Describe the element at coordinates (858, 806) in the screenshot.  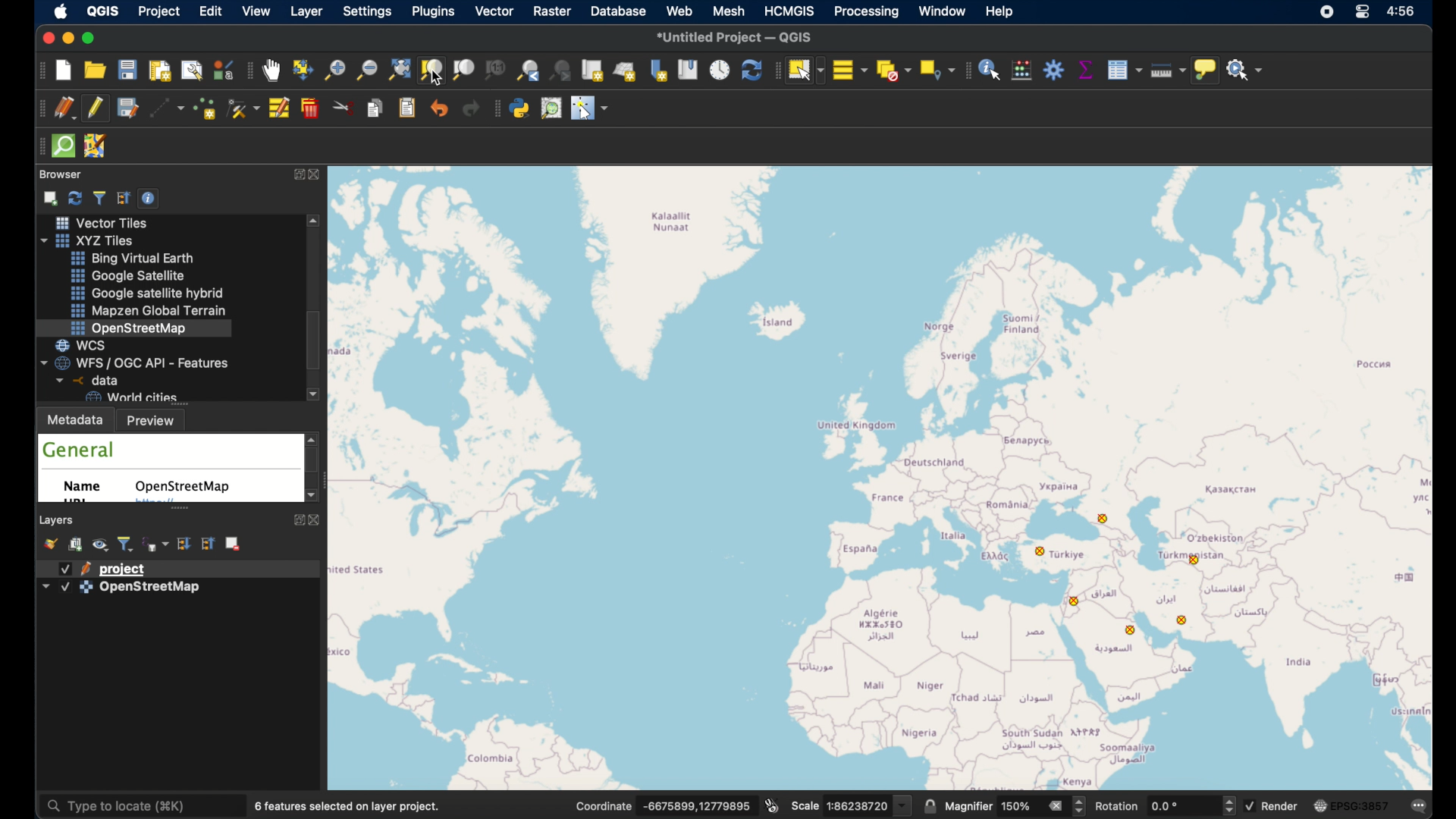
I see `Scale value` at that location.